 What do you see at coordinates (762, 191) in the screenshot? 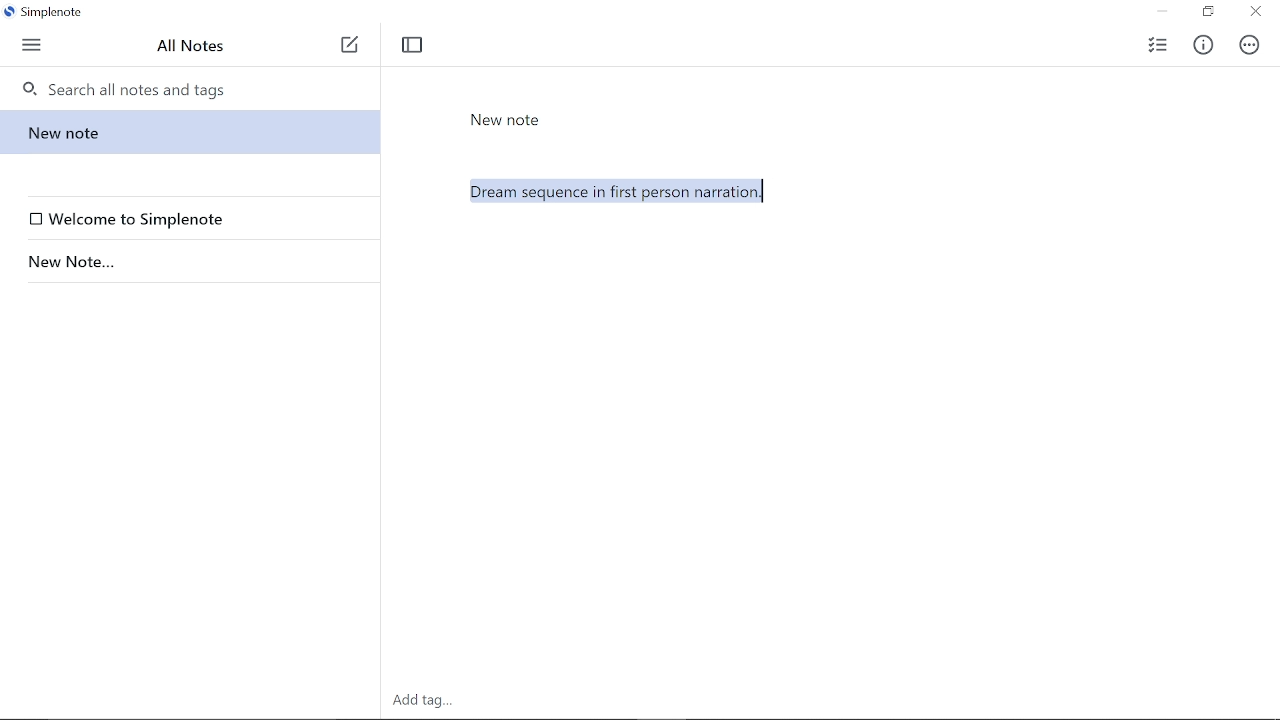
I see `Cursor here` at bounding box center [762, 191].